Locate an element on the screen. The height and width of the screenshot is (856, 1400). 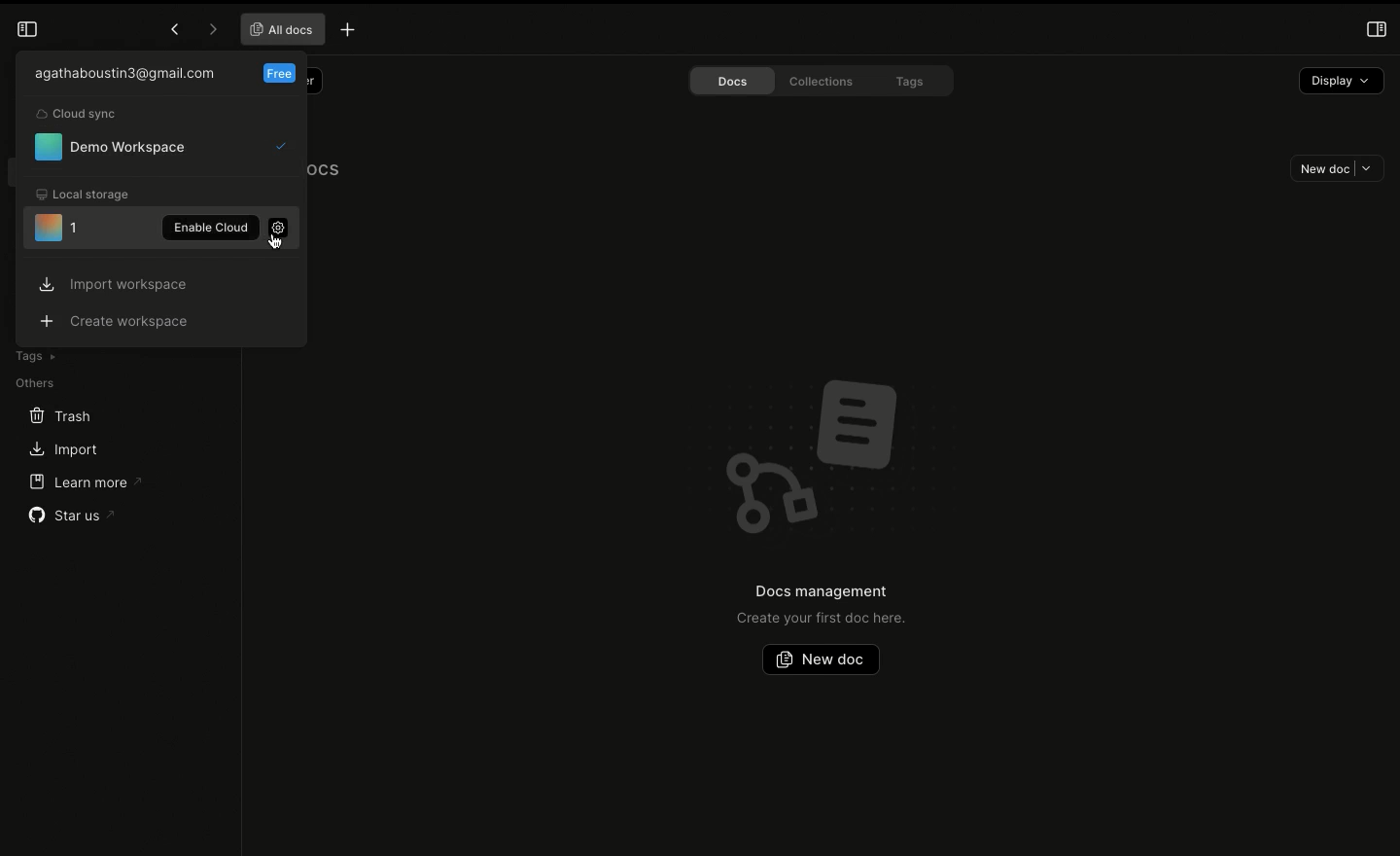
Others is located at coordinates (34, 381).